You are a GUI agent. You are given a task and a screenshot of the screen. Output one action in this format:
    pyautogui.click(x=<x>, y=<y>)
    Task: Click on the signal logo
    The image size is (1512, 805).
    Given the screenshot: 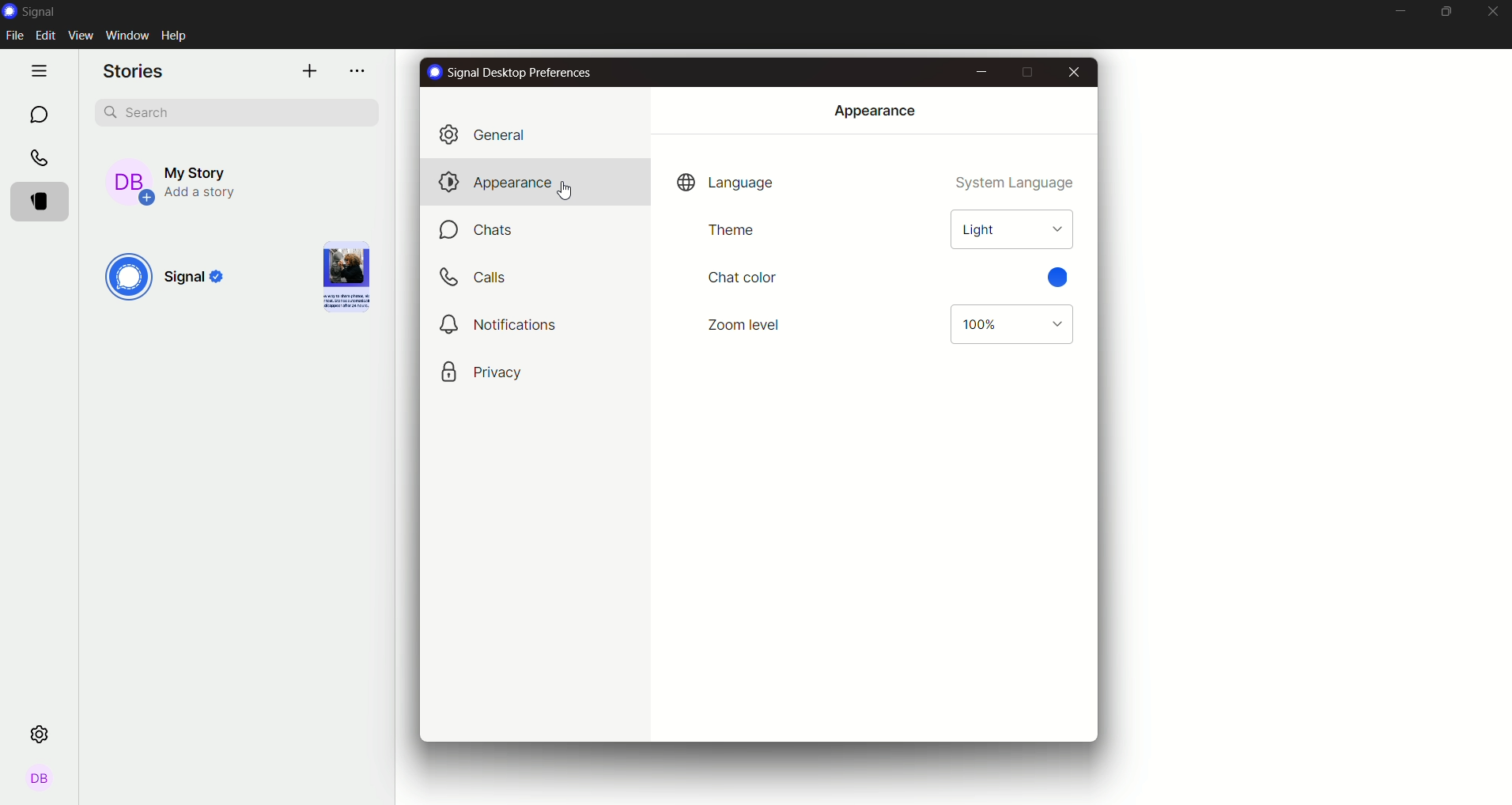 What is the action you would take?
    pyautogui.click(x=170, y=279)
    